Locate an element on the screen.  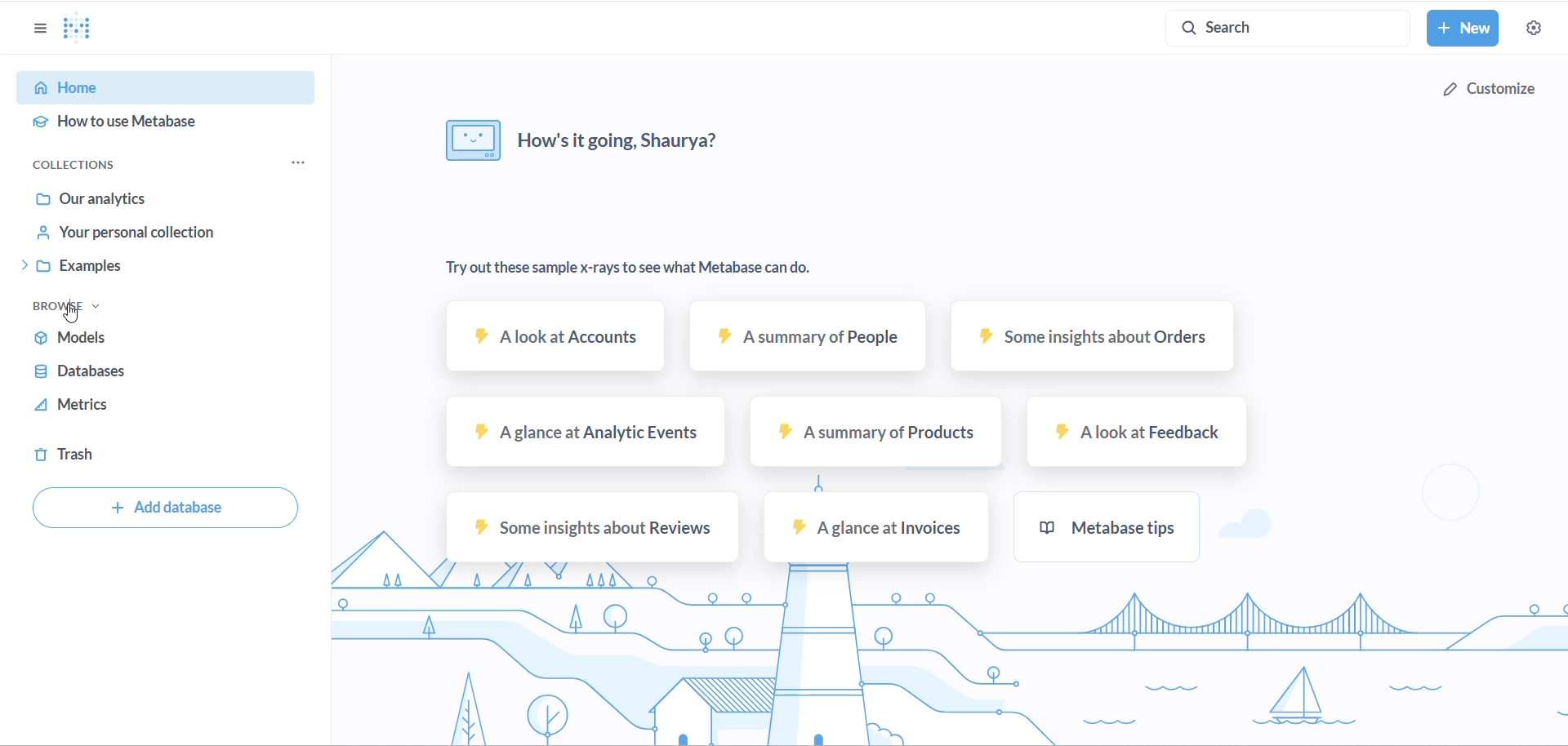
A look at accounts sample is located at coordinates (555, 341).